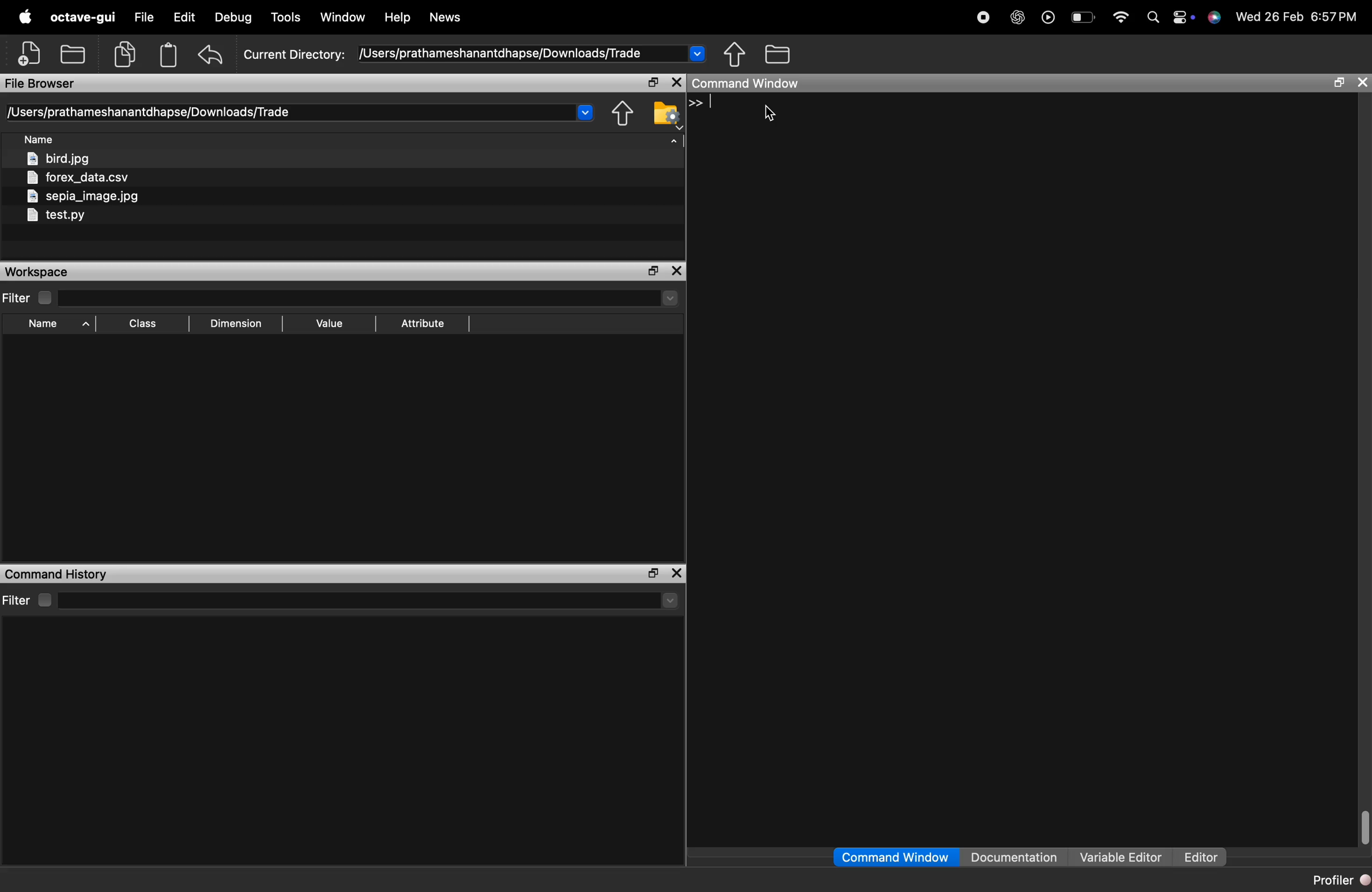  What do you see at coordinates (1337, 880) in the screenshot?
I see `profiler ` at bounding box center [1337, 880].